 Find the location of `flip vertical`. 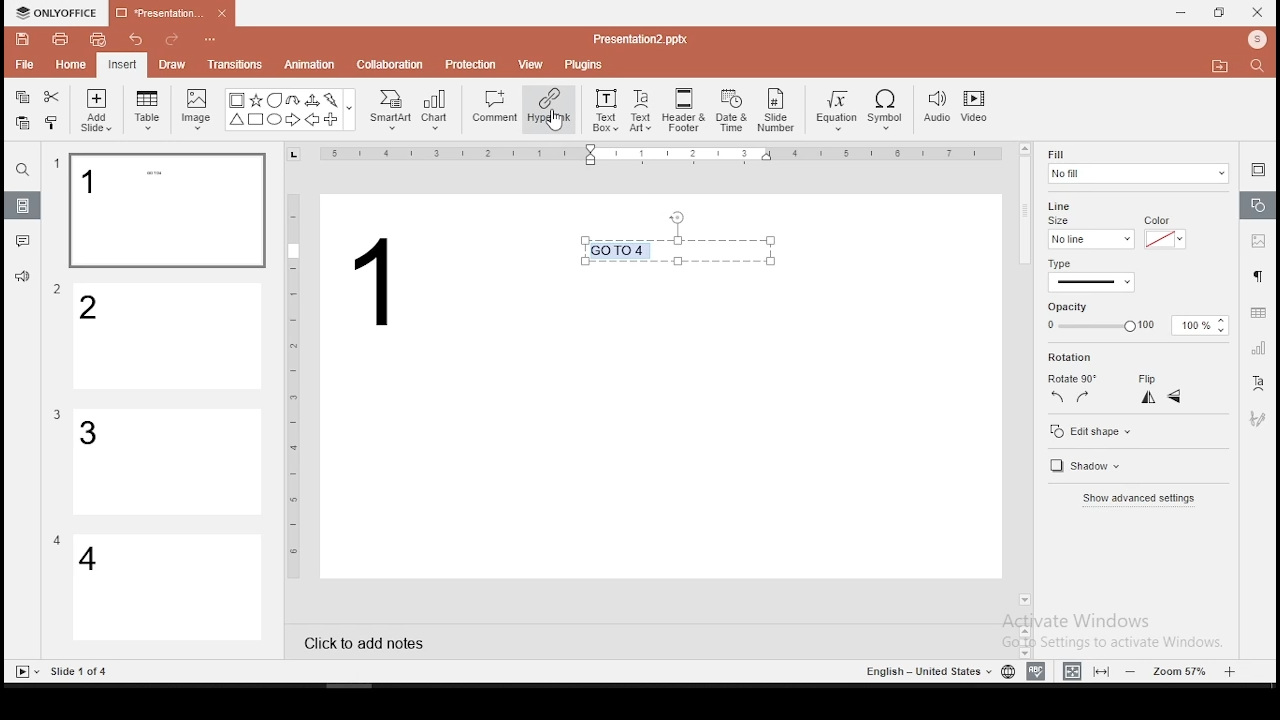

flip vertical is located at coordinates (1176, 399).